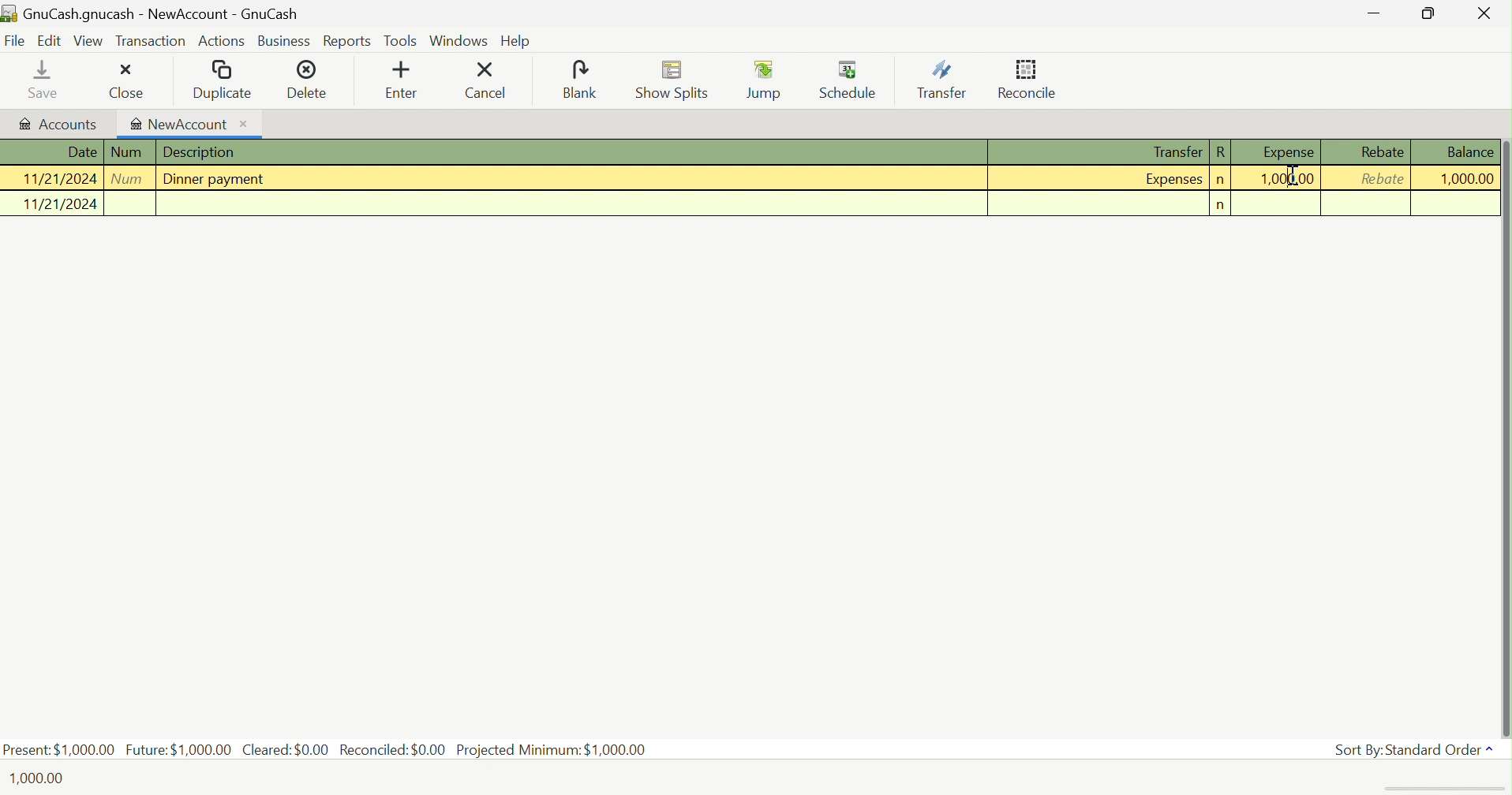 The height and width of the screenshot is (795, 1512). Describe the element at coordinates (393, 750) in the screenshot. I see `Reconciled: $0.00` at that location.